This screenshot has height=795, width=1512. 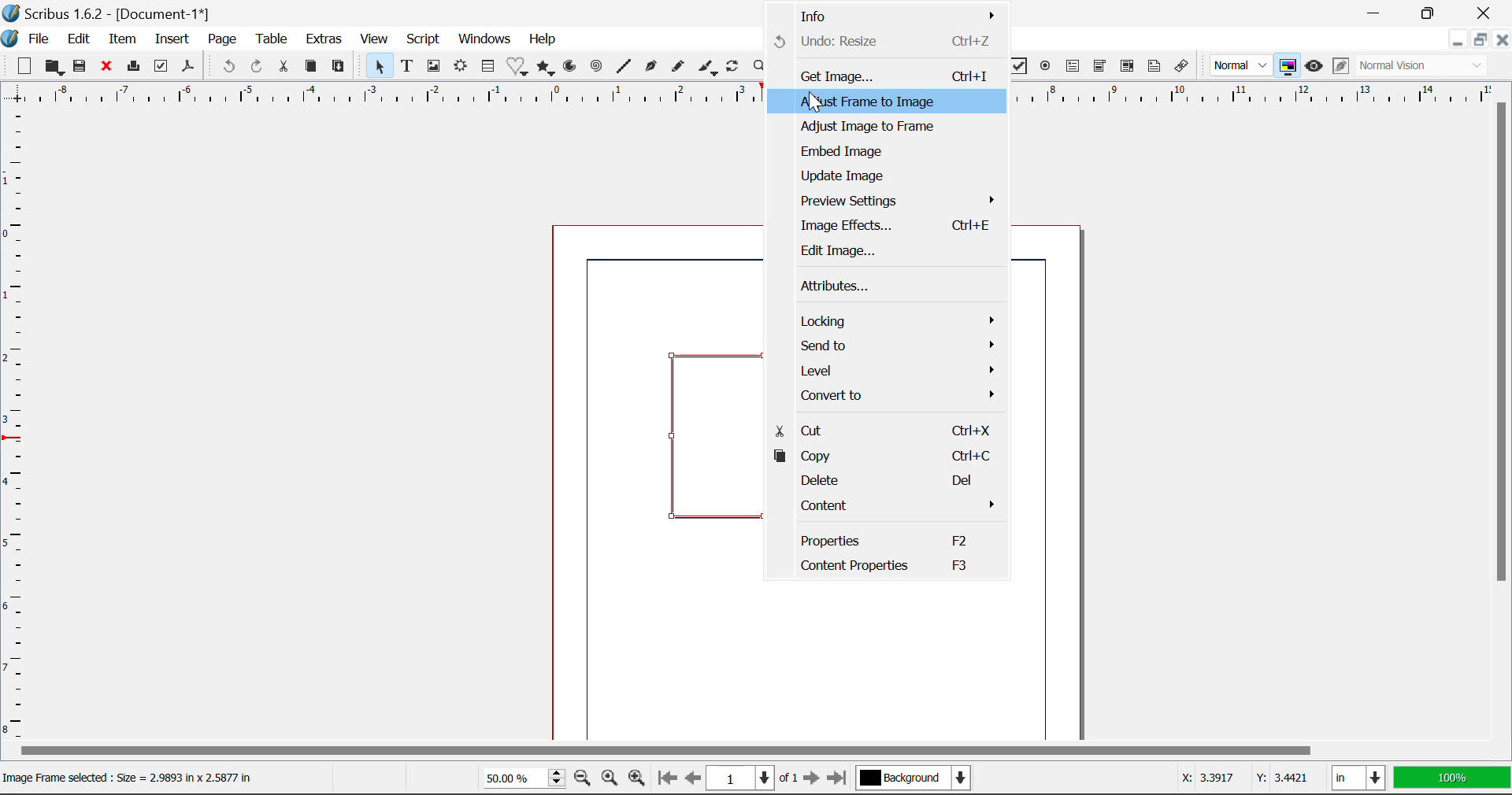 What do you see at coordinates (133, 66) in the screenshot?
I see `Print` at bounding box center [133, 66].